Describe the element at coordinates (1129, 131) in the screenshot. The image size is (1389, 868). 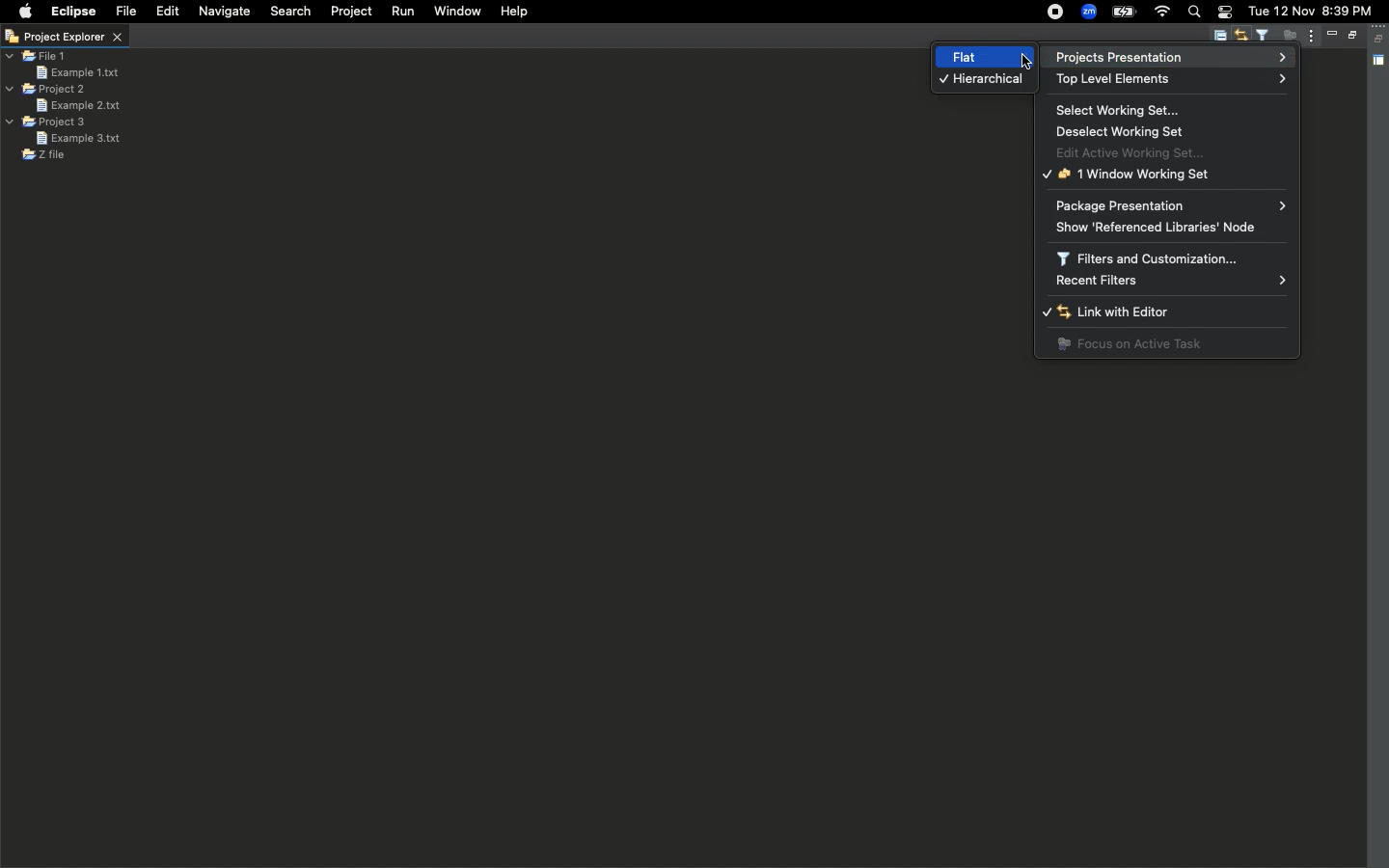
I see `Deselect working set` at that location.